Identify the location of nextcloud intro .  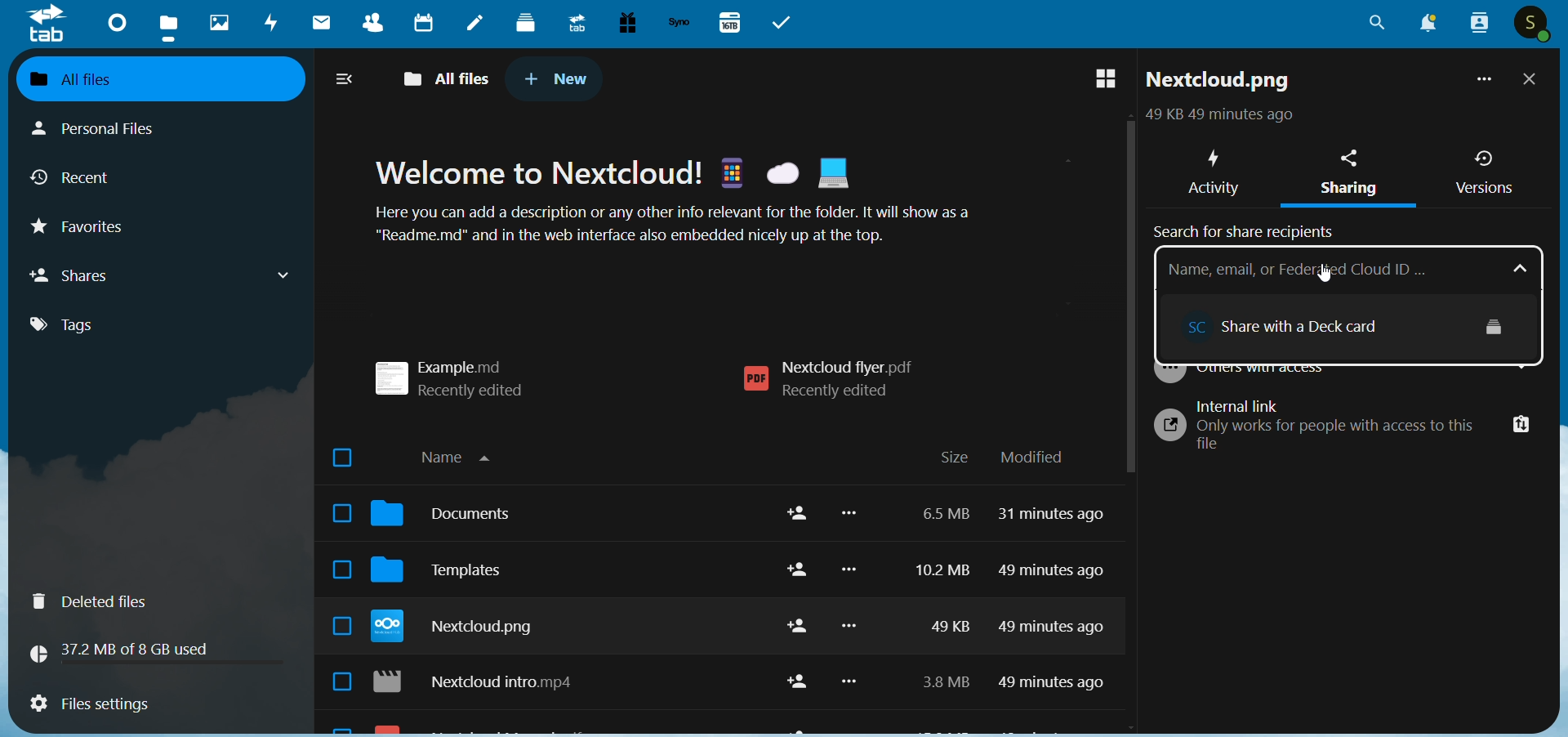
(483, 685).